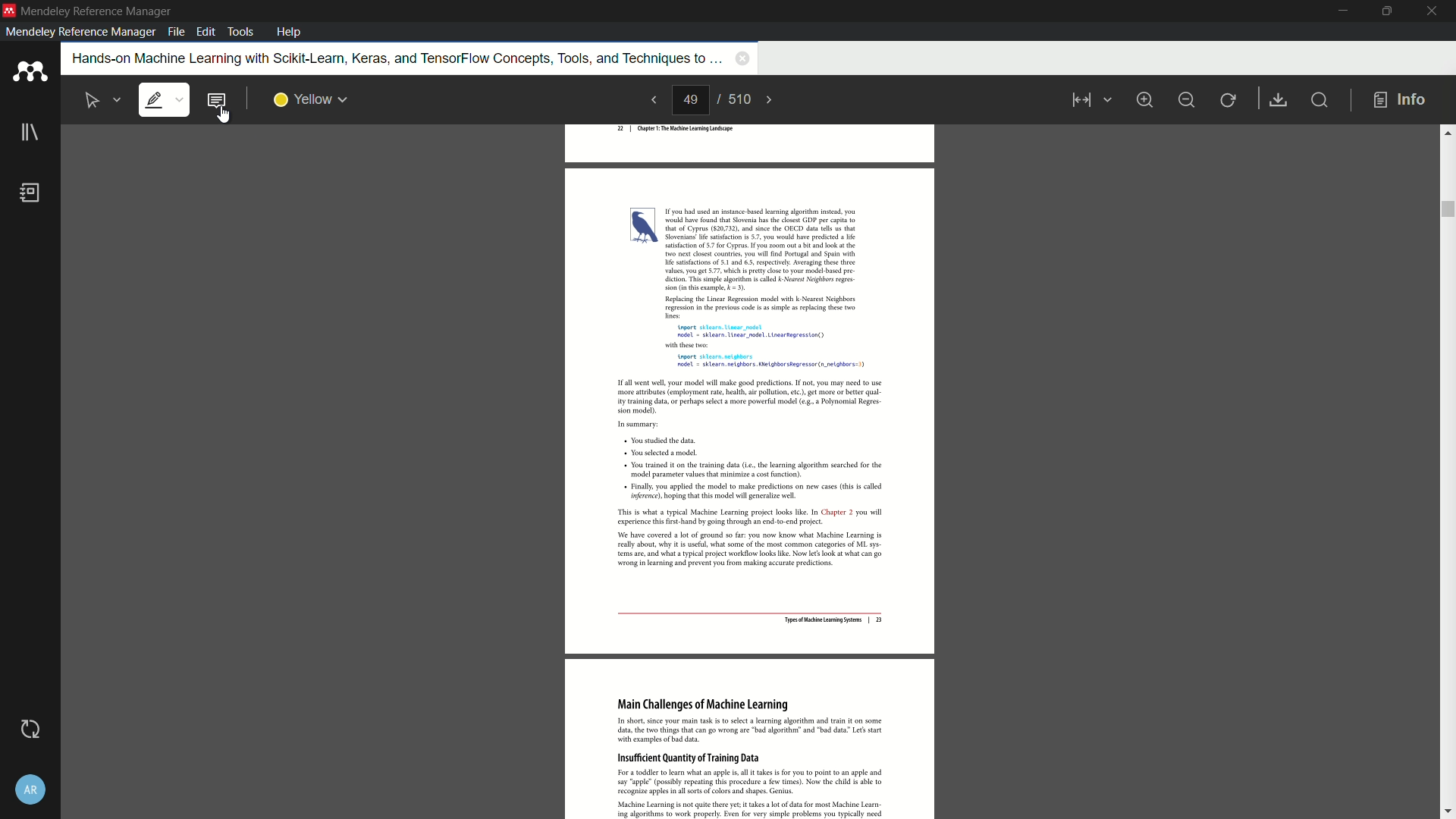  What do you see at coordinates (1145, 99) in the screenshot?
I see `zoom in` at bounding box center [1145, 99].